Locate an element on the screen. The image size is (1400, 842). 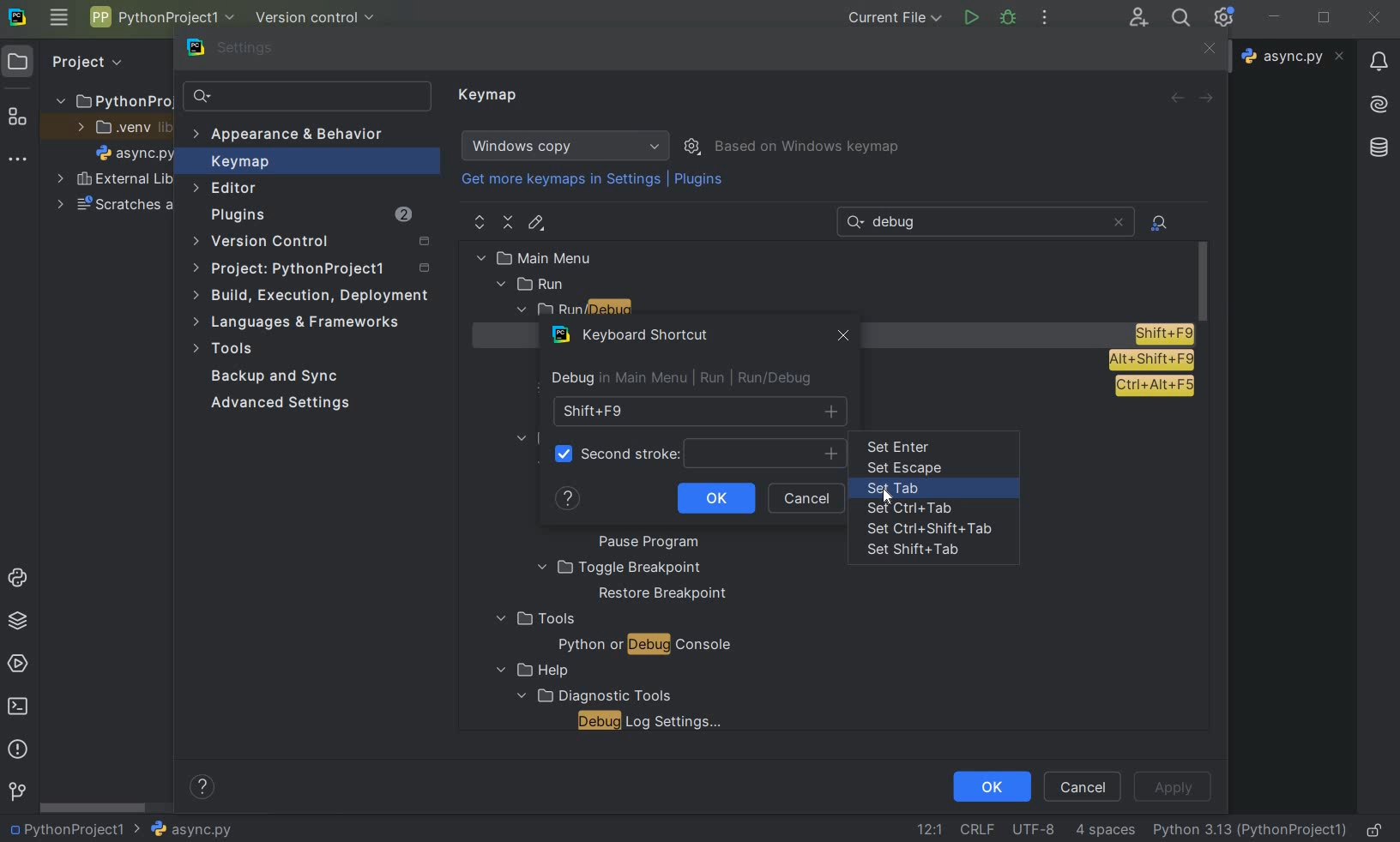
services is located at coordinates (20, 663).